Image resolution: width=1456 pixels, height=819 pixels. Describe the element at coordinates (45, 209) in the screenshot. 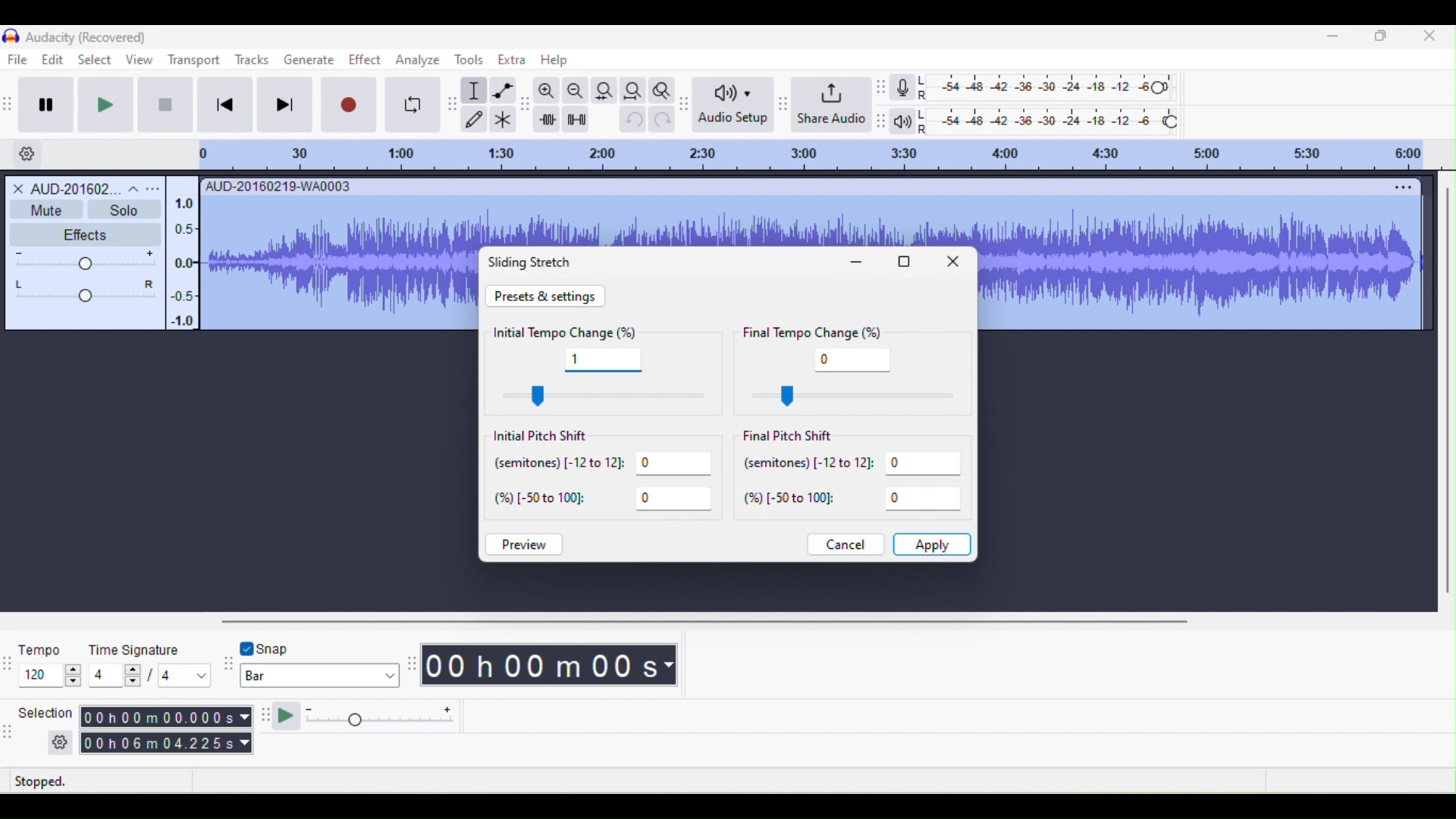

I see `Mute` at that location.